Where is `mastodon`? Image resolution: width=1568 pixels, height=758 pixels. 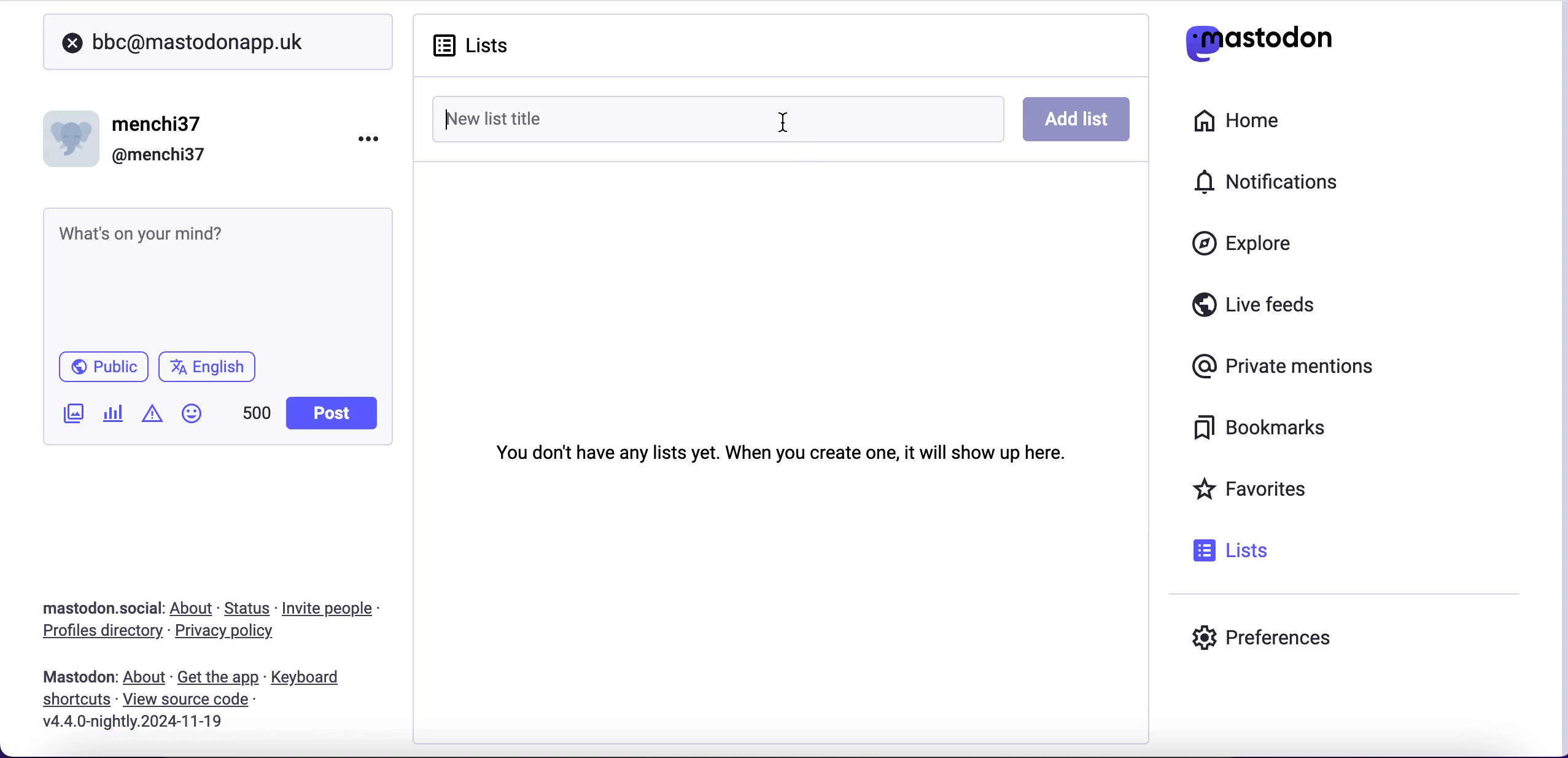 mastodon is located at coordinates (79, 677).